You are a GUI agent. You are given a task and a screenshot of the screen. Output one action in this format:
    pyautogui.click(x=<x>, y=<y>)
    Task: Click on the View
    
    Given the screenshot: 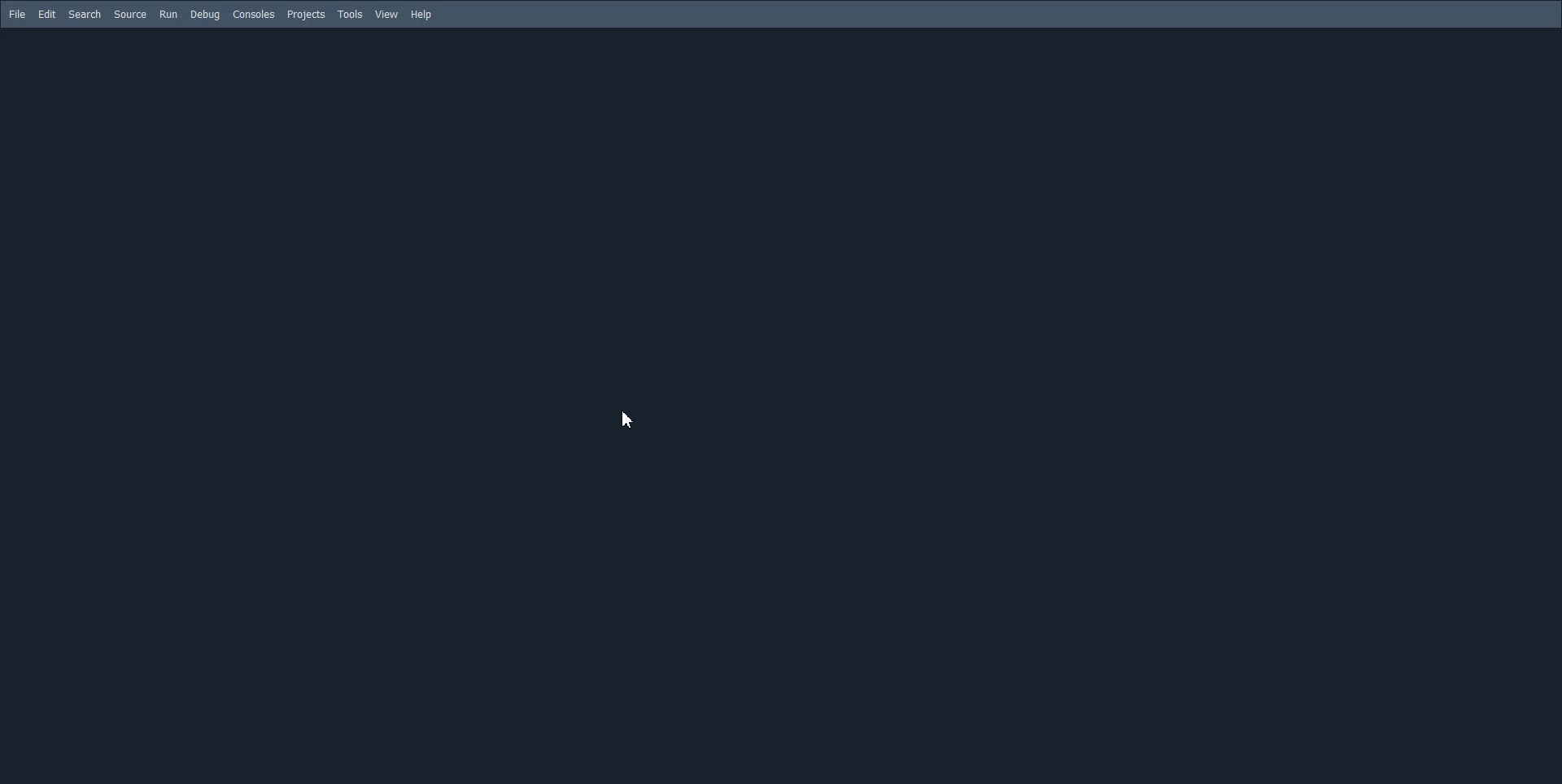 What is the action you would take?
    pyautogui.click(x=387, y=15)
    